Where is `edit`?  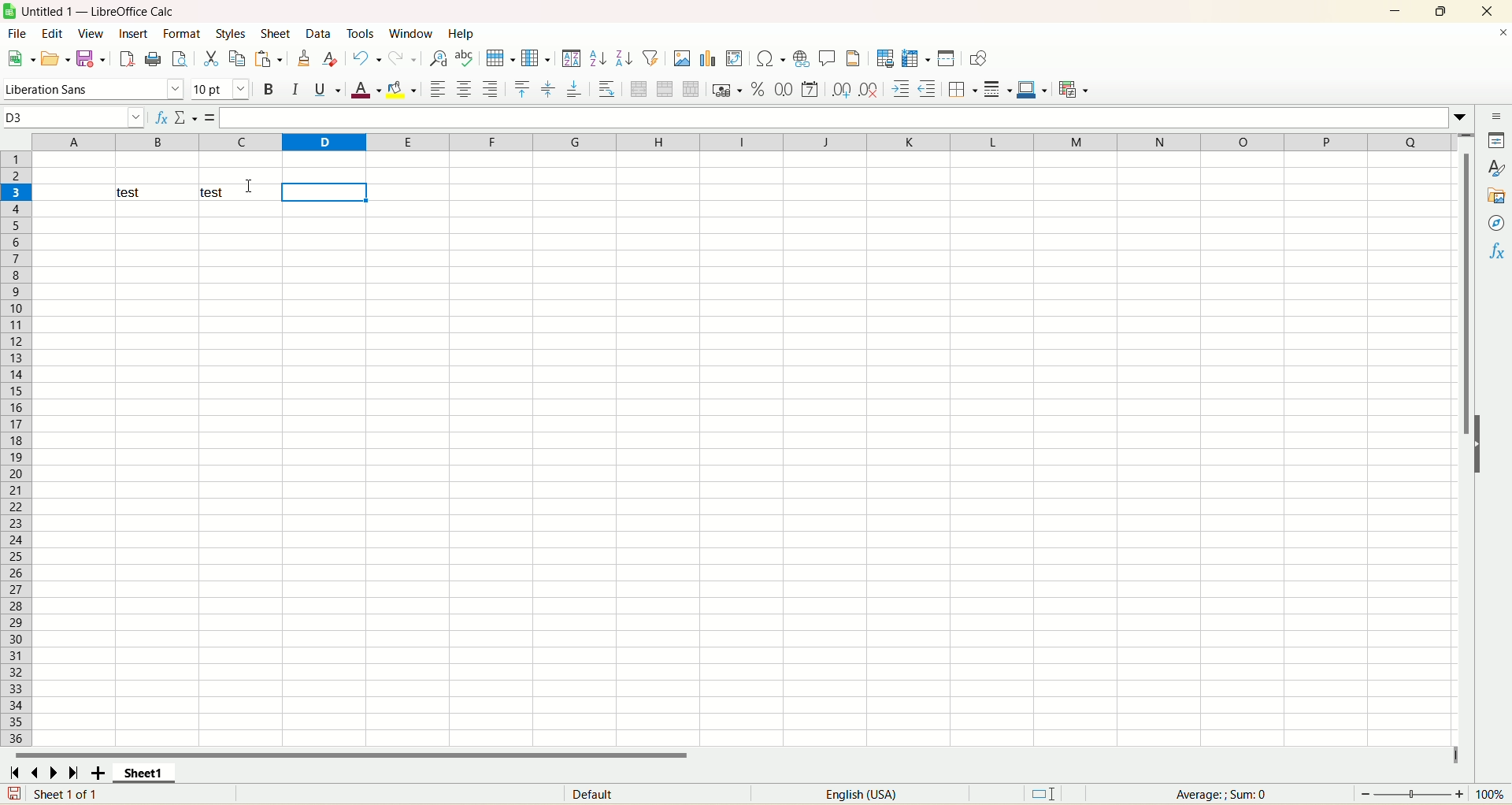 edit is located at coordinates (53, 33).